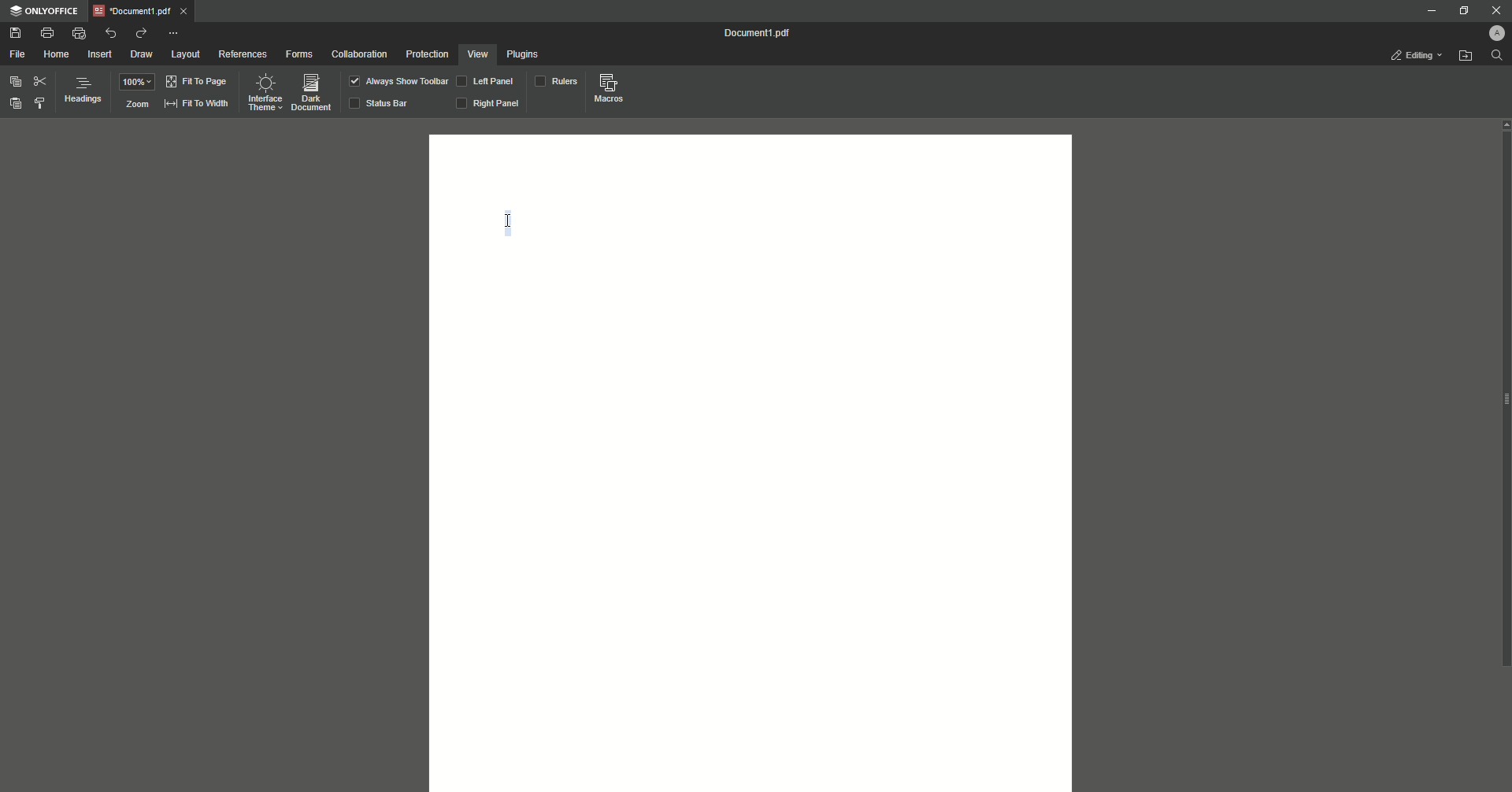 The width and height of the screenshot is (1512, 792). I want to click on Fit to witdh, so click(197, 105).